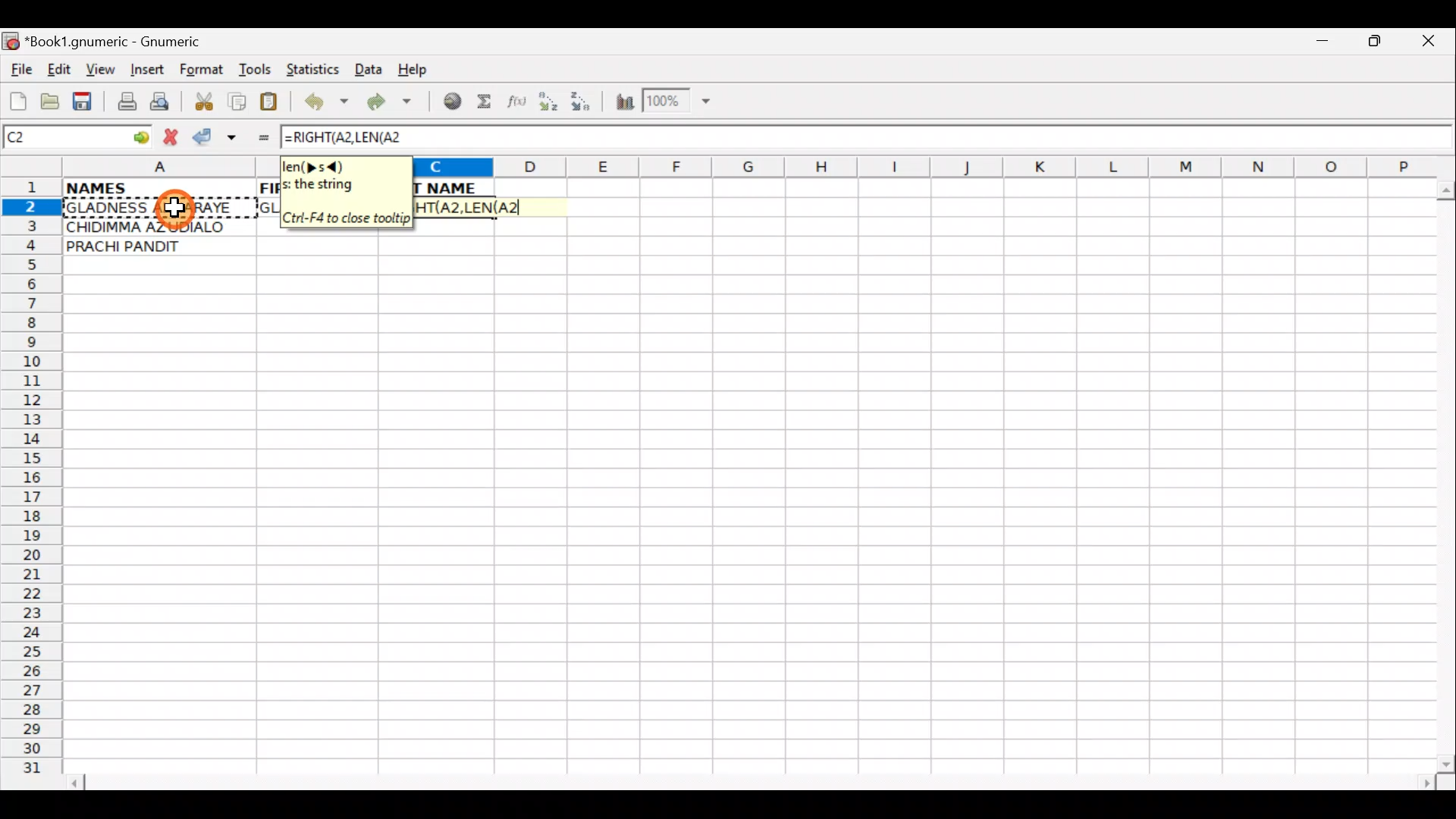  Describe the element at coordinates (929, 137) in the screenshot. I see `Formula bar` at that location.